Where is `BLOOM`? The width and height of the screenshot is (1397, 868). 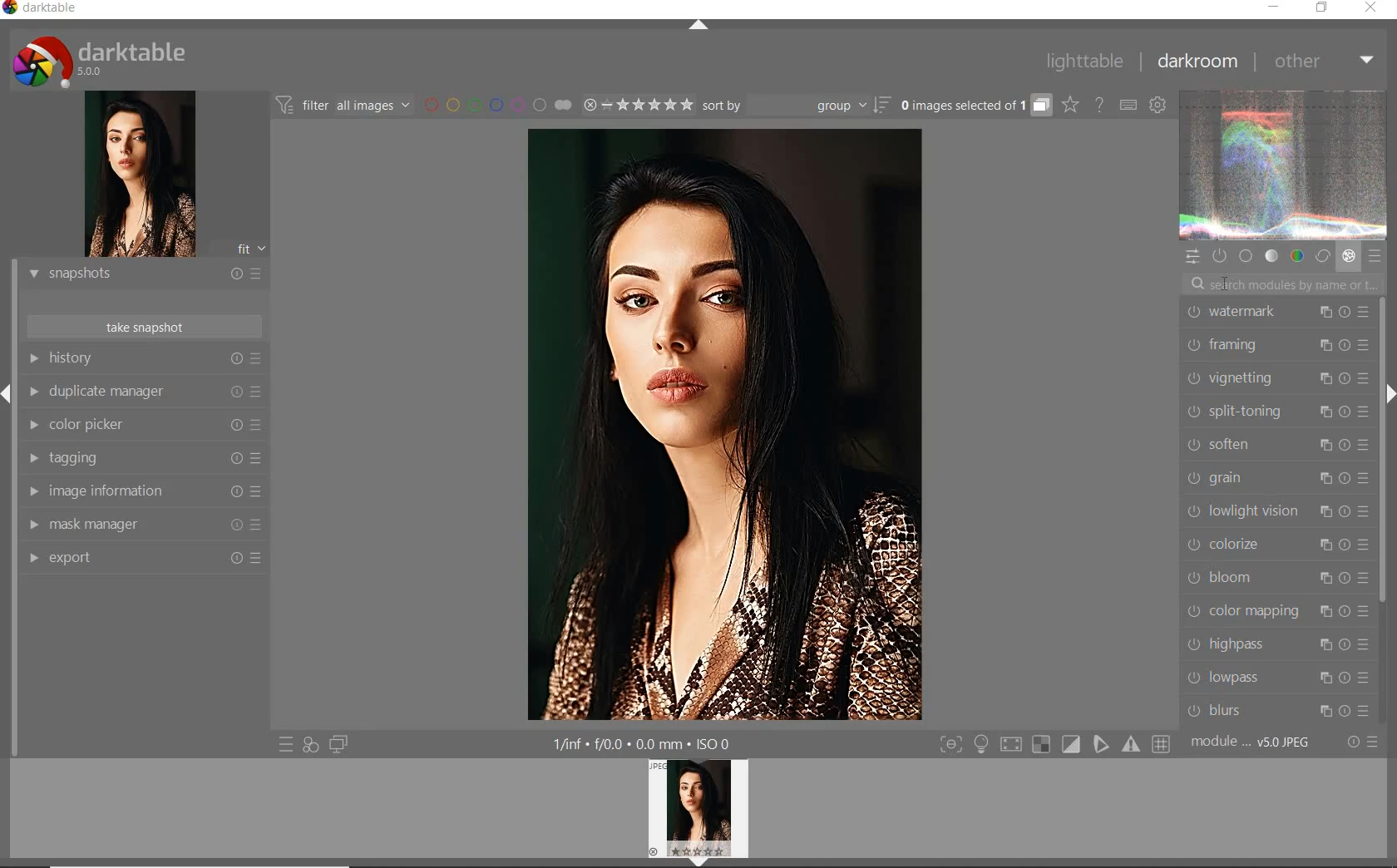 BLOOM is located at coordinates (1274, 578).